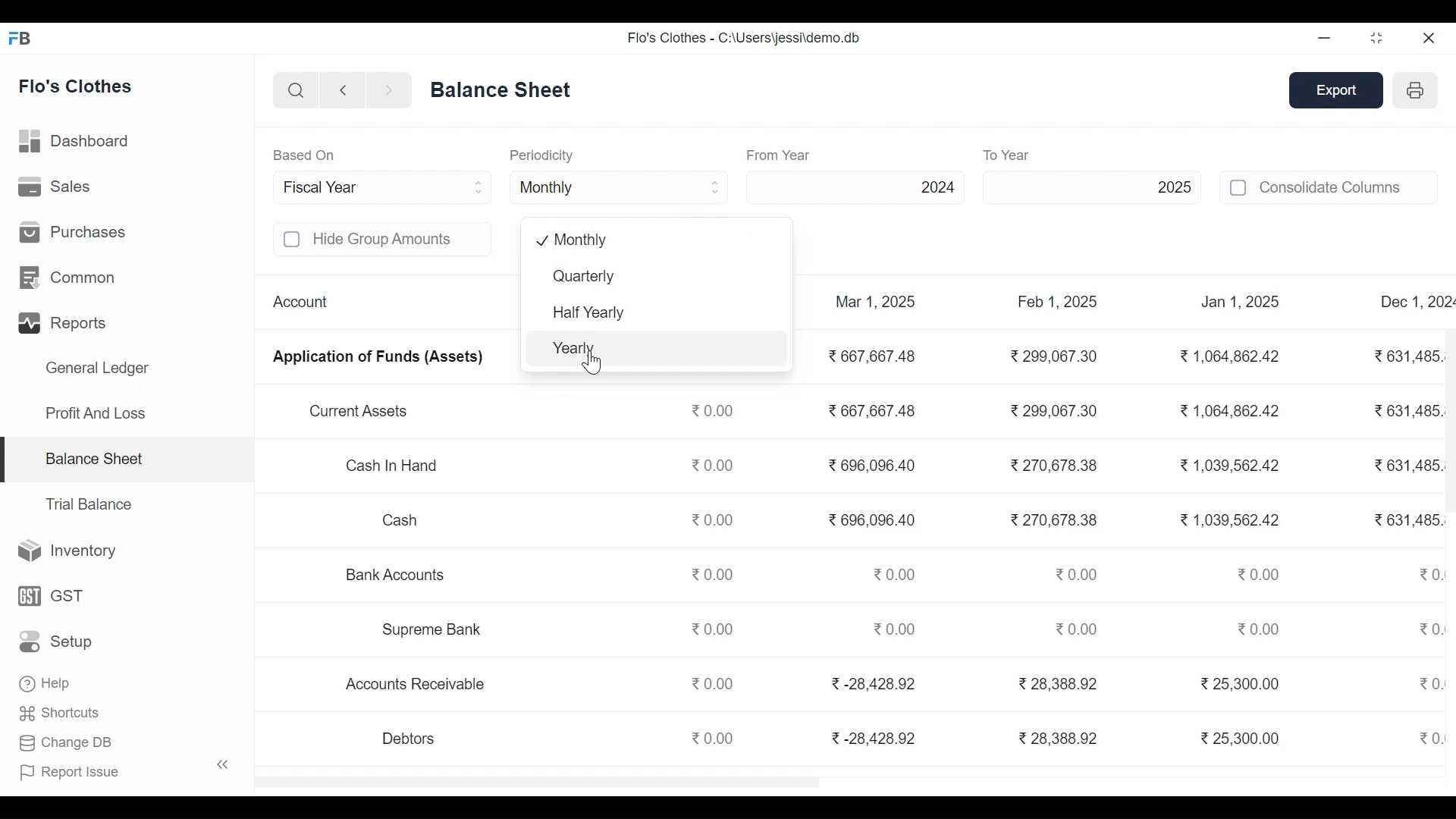  What do you see at coordinates (657, 349) in the screenshot?
I see `Yearly` at bounding box center [657, 349].